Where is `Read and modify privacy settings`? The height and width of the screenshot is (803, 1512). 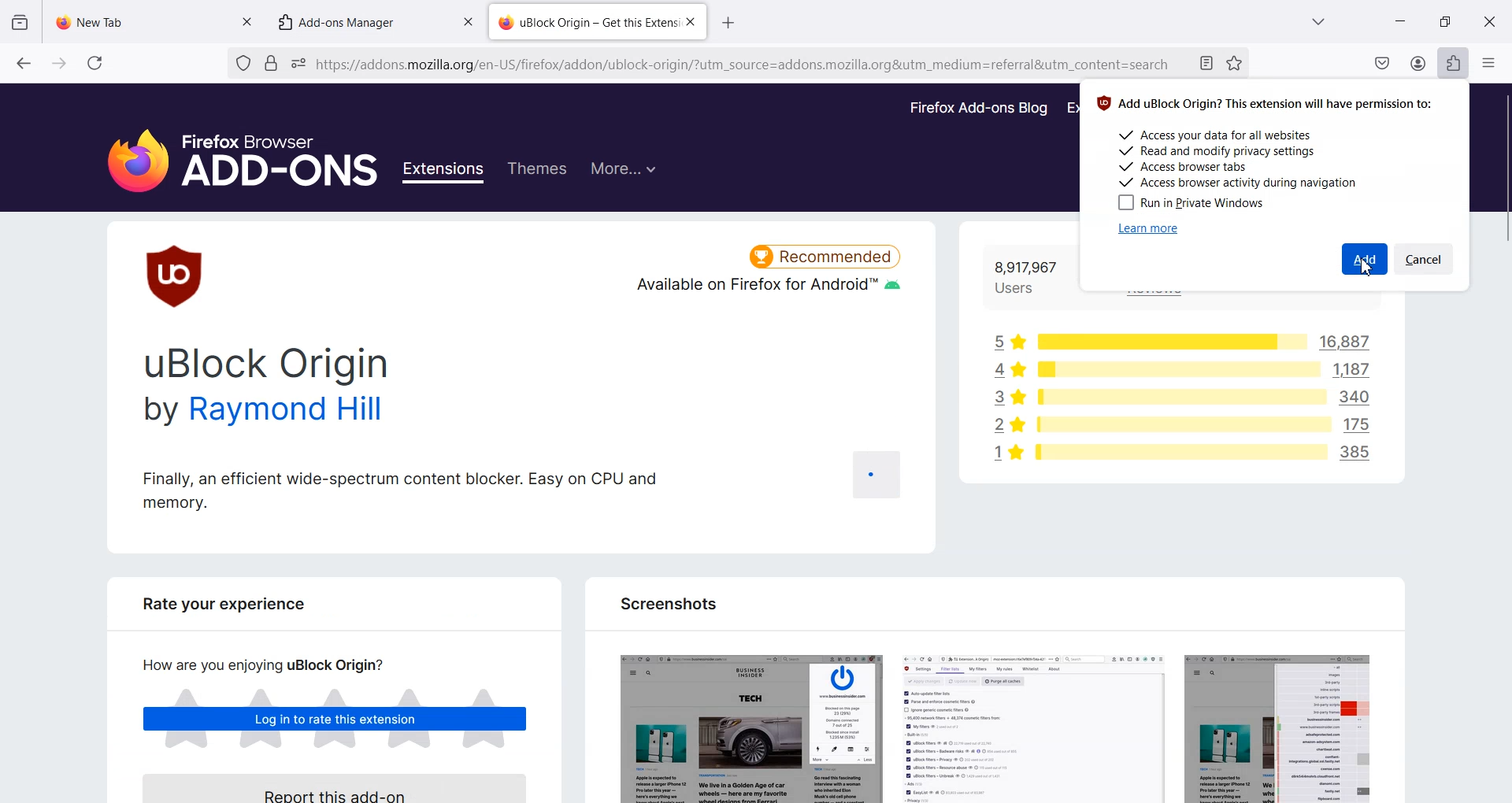 Read and modify privacy settings is located at coordinates (1218, 151).